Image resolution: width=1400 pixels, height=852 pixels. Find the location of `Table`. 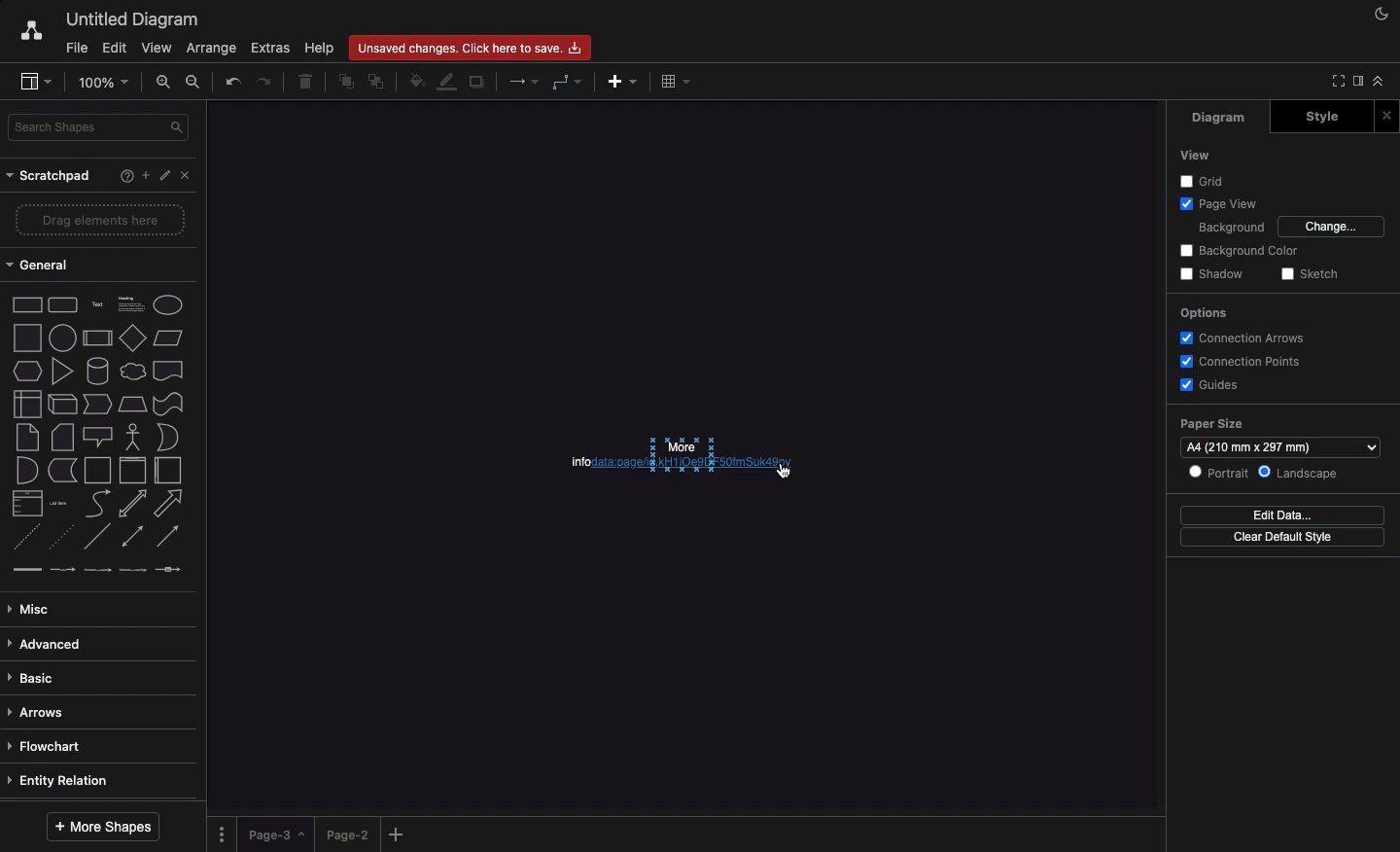

Table is located at coordinates (677, 81).